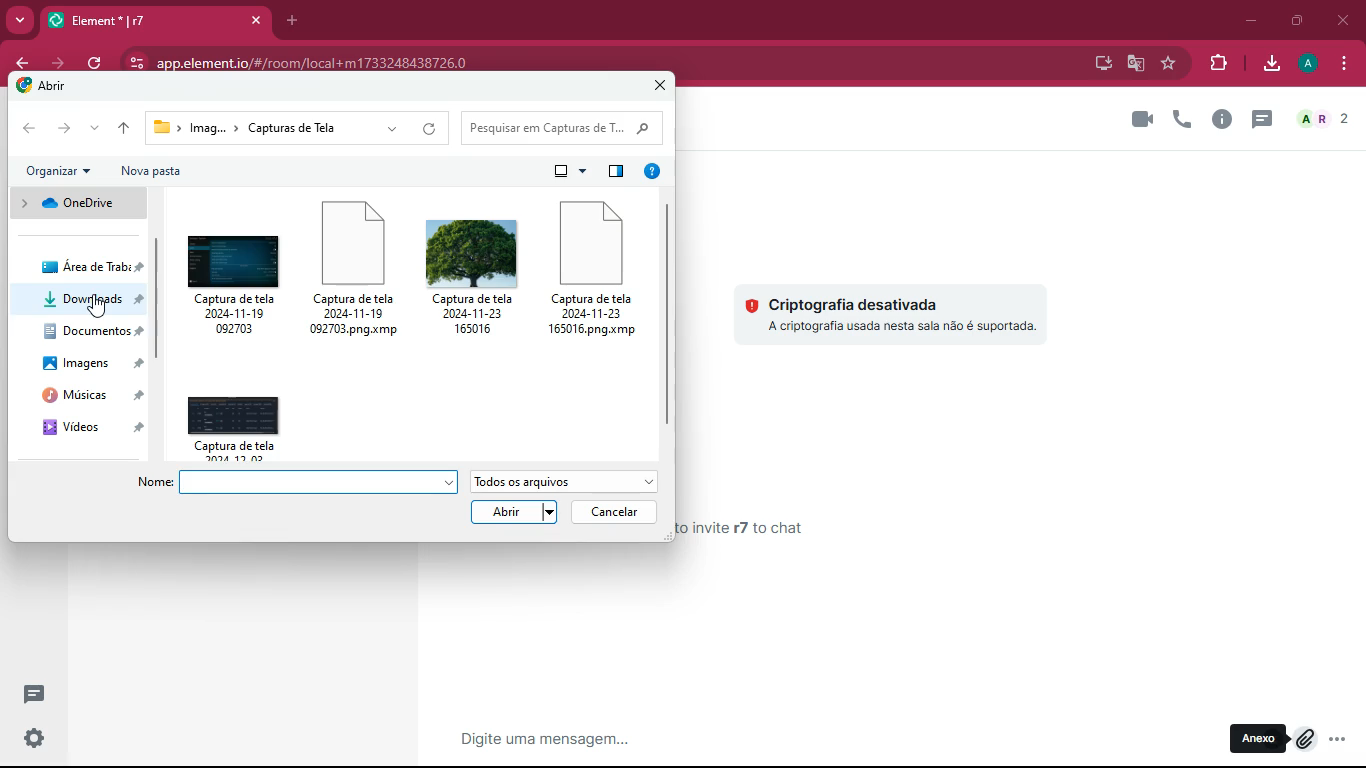 The height and width of the screenshot is (768, 1366). What do you see at coordinates (1221, 120) in the screenshot?
I see `info` at bounding box center [1221, 120].